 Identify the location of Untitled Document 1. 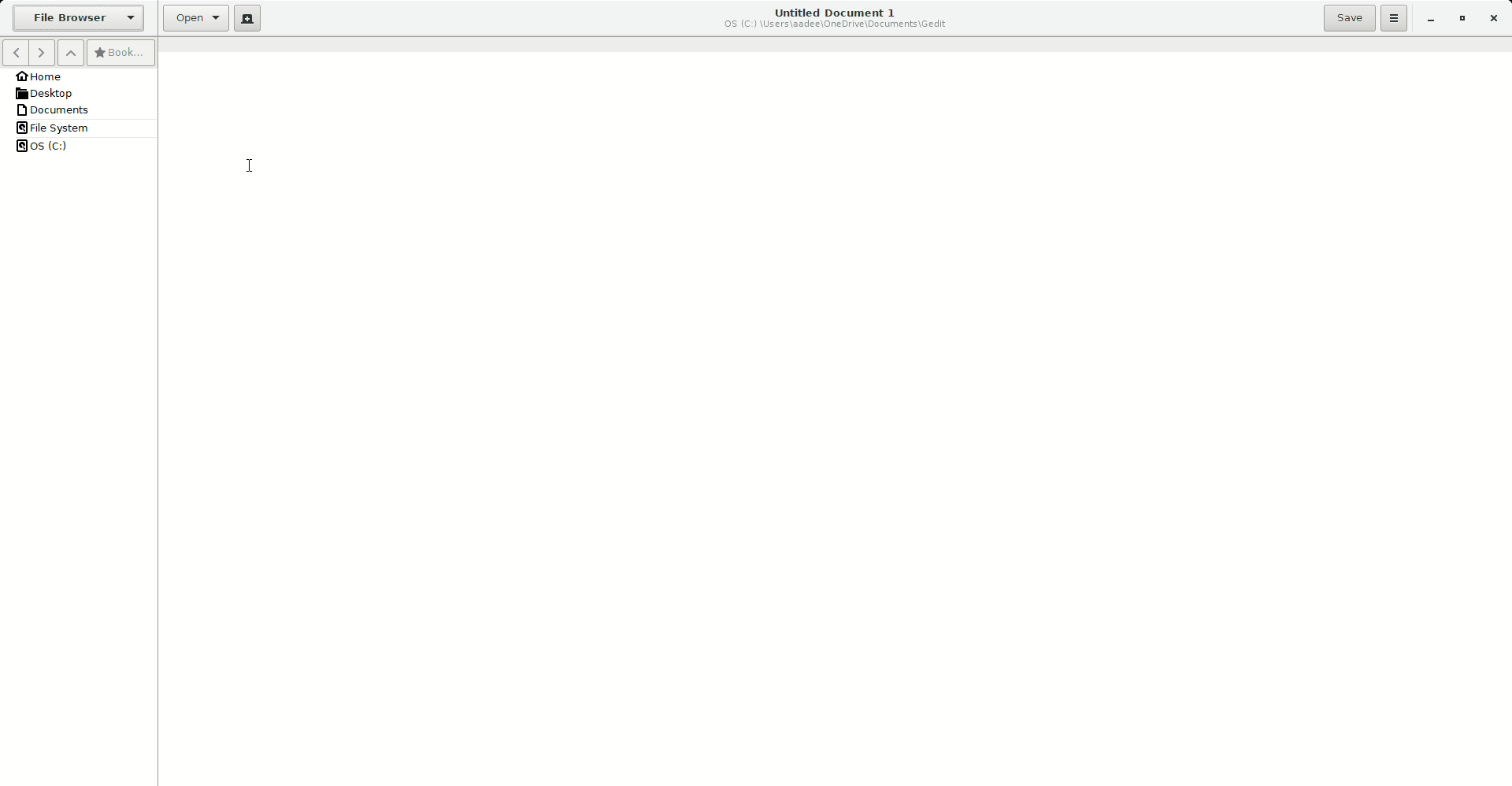
(835, 17).